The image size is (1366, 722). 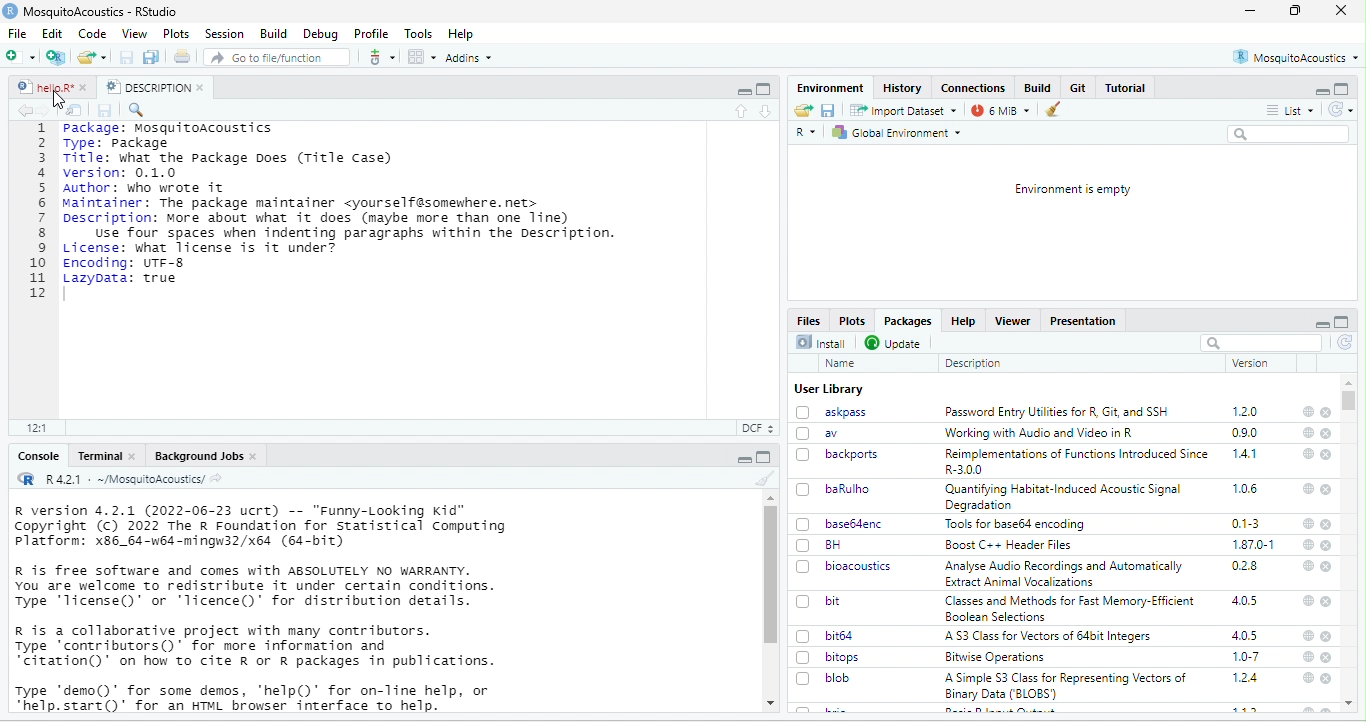 What do you see at coordinates (1125, 88) in the screenshot?
I see `Tutorial` at bounding box center [1125, 88].